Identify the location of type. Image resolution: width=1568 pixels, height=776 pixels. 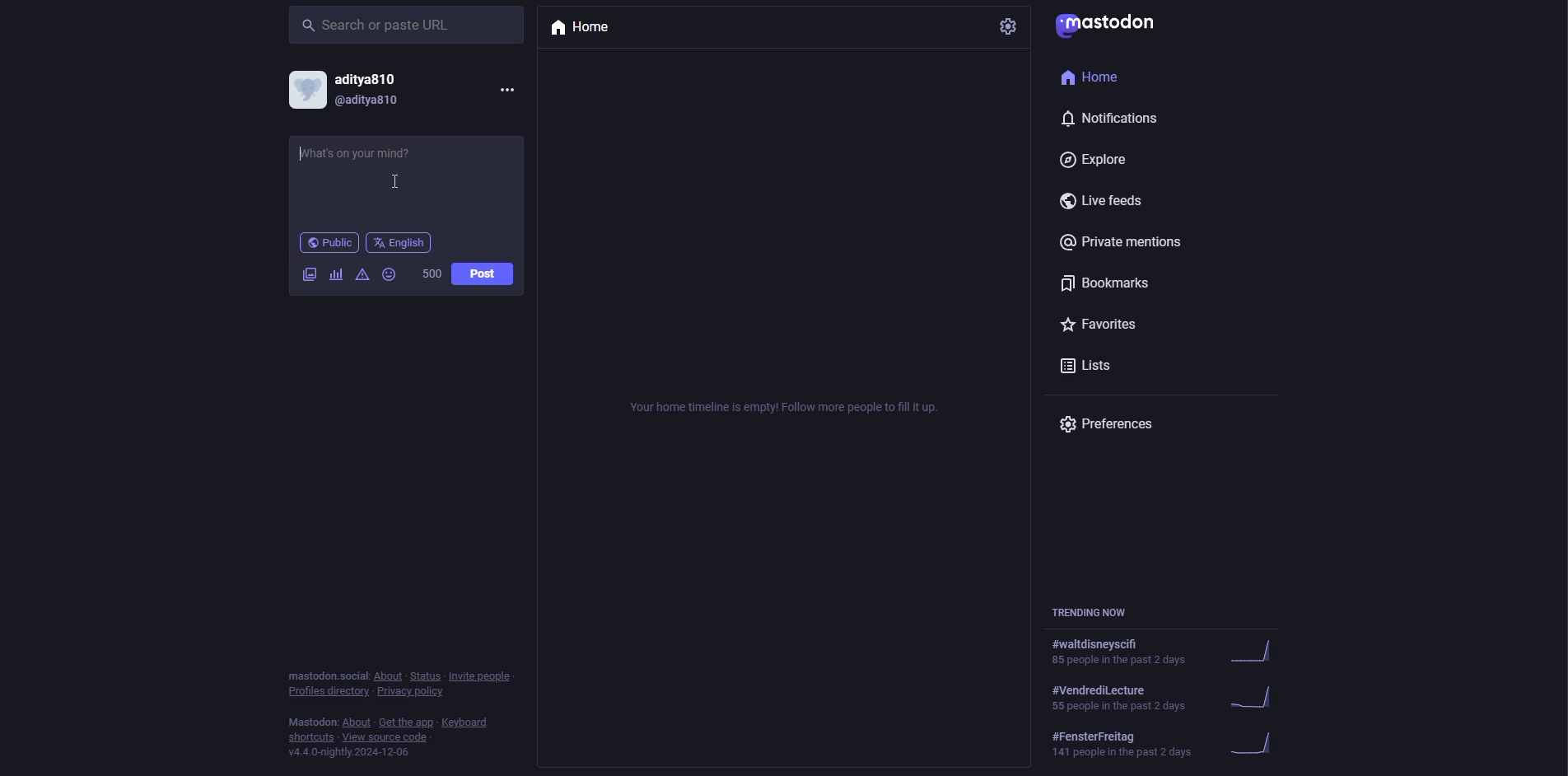
(362, 158).